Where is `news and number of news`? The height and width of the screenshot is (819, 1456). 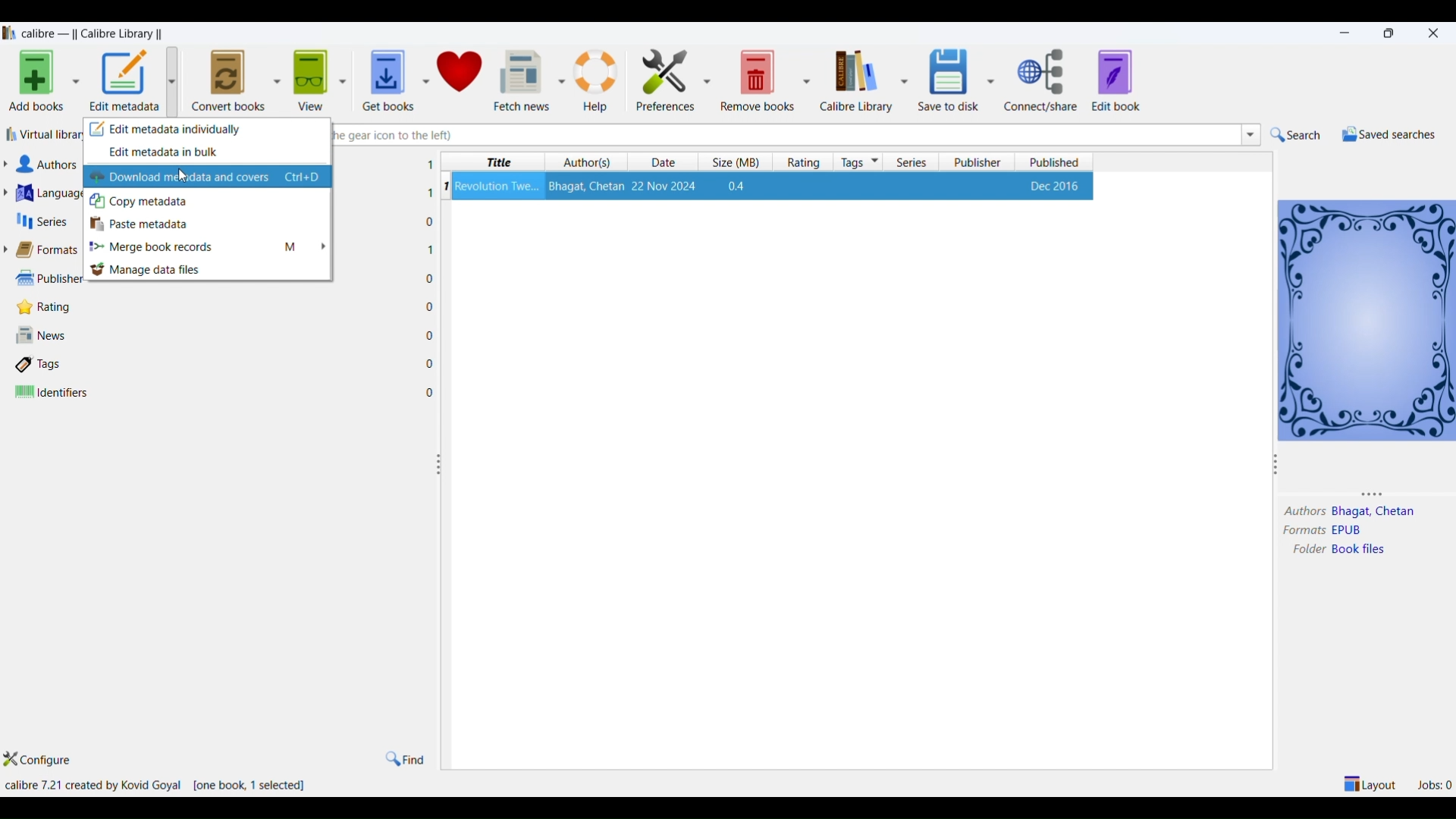 news and number of news is located at coordinates (46, 337).